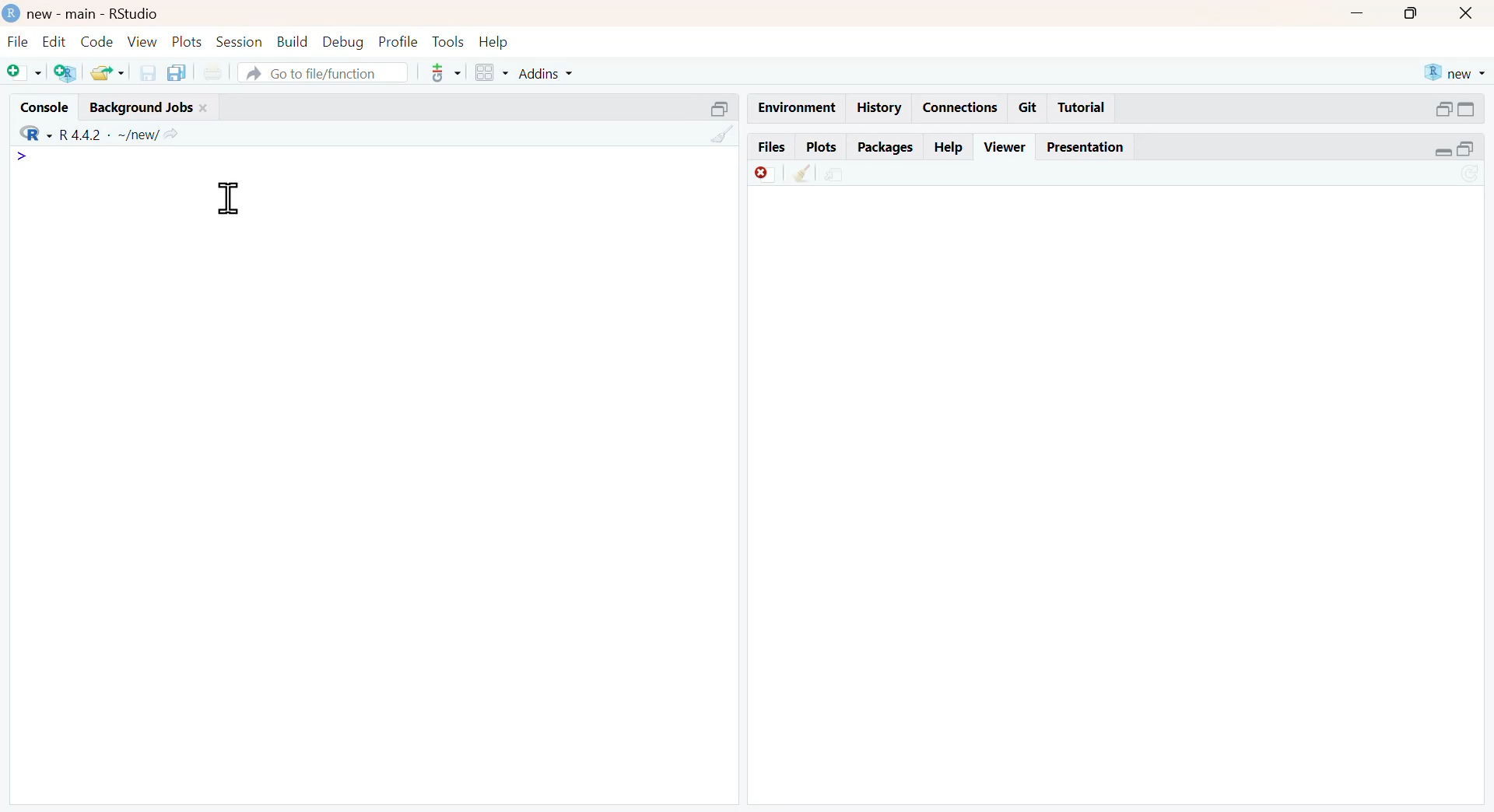 This screenshot has height=812, width=1494. What do you see at coordinates (109, 135) in the screenshot?
I see `R 4.4.2 ~/new/` at bounding box center [109, 135].